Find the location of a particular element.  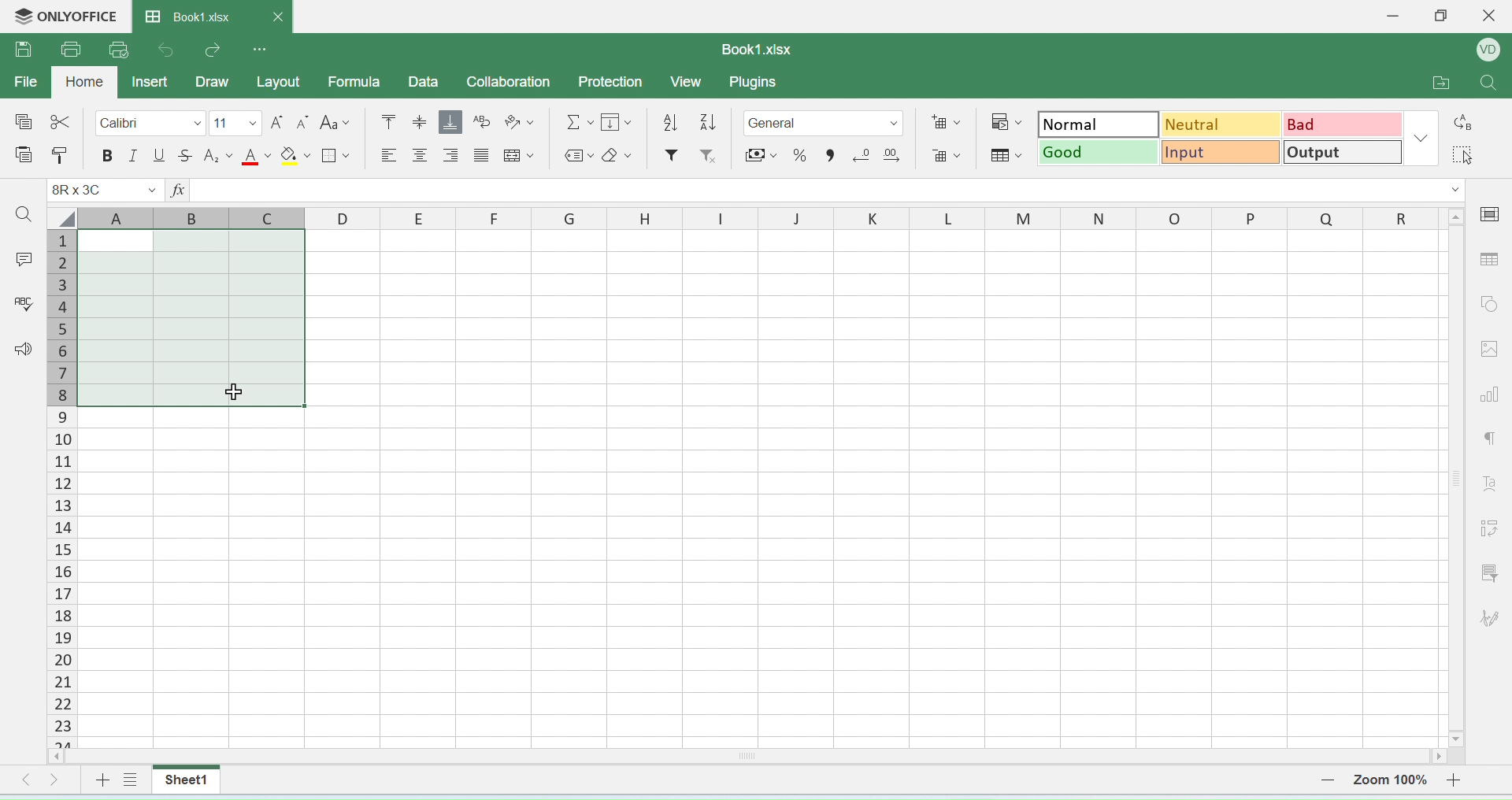

formula bar is located at coordinates (817, 190).